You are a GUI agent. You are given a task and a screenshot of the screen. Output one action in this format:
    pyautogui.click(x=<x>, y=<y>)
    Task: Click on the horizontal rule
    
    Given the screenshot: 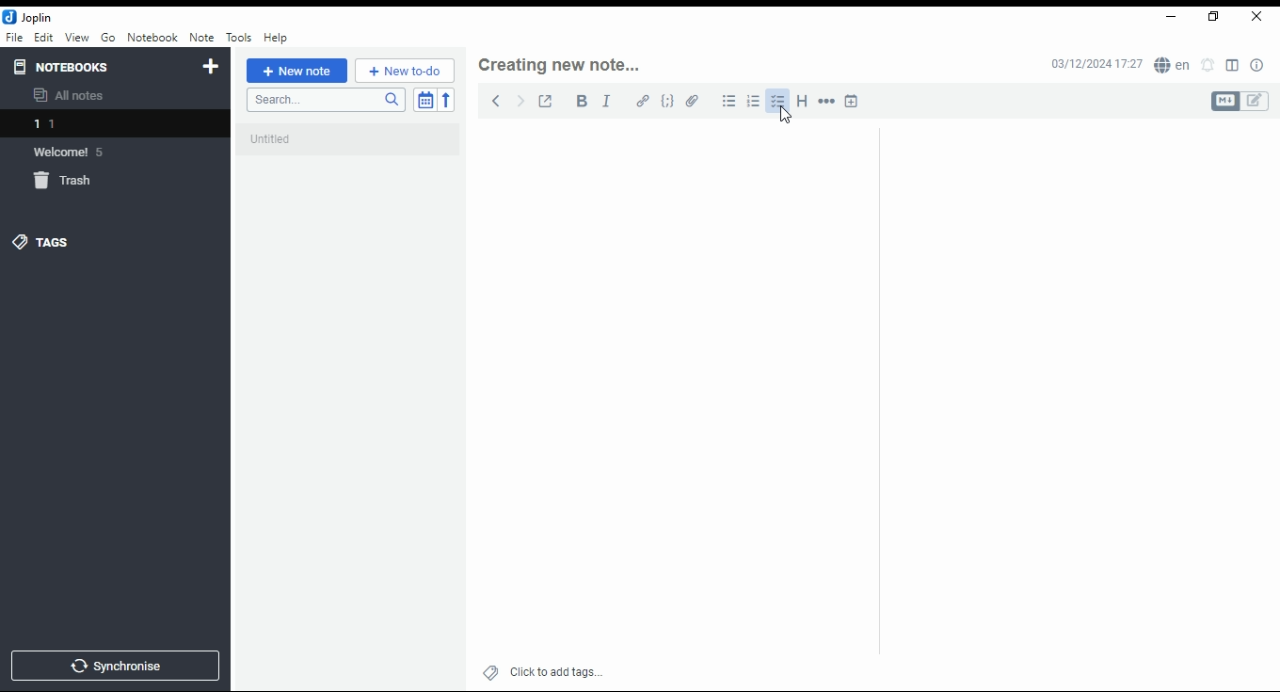 What is the action you would take?
    pyautogui.click(x=827, y=101)
    